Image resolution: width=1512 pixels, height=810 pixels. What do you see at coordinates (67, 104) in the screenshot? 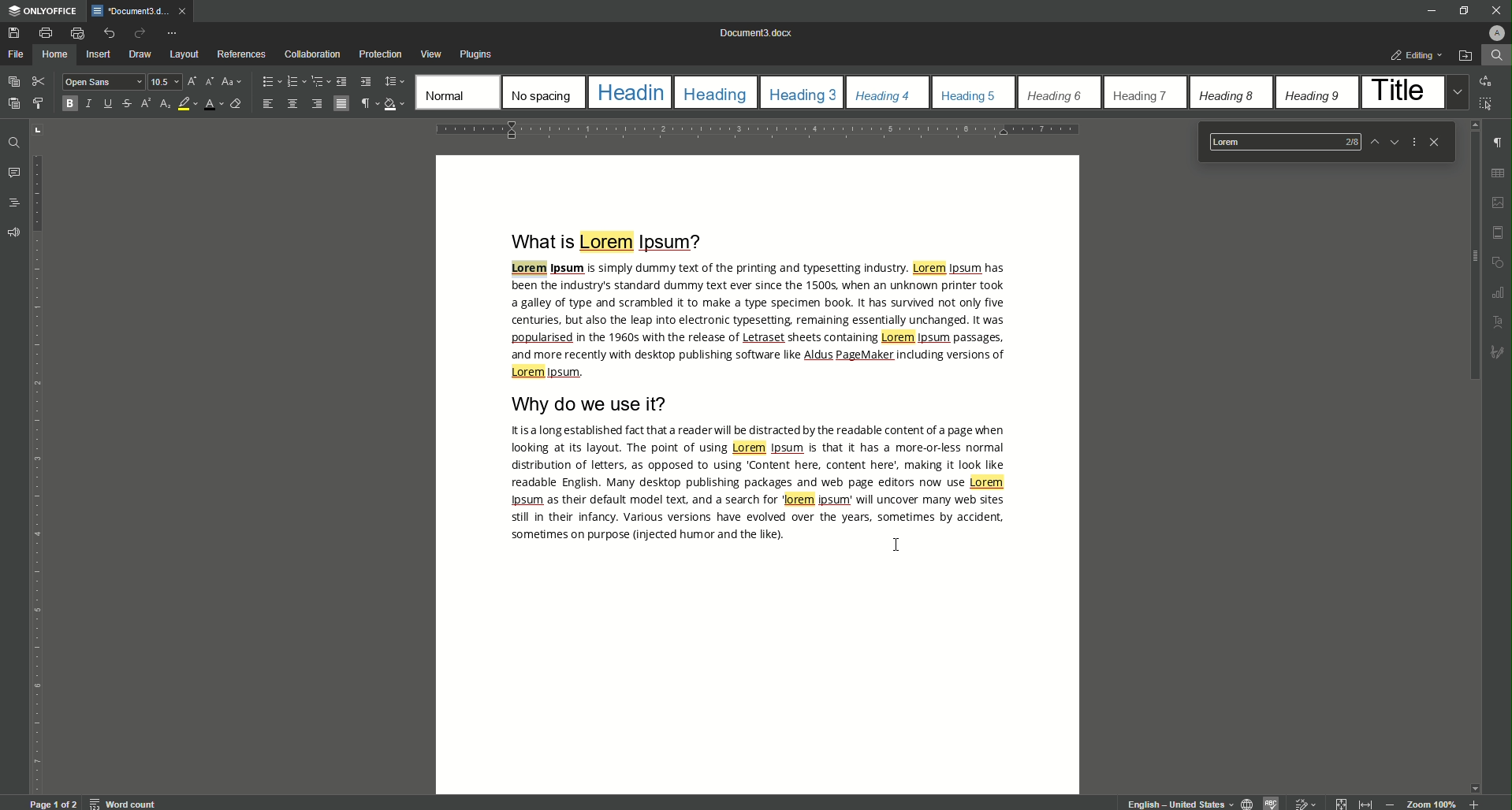
I see `B` at bounding box center [67, 104].